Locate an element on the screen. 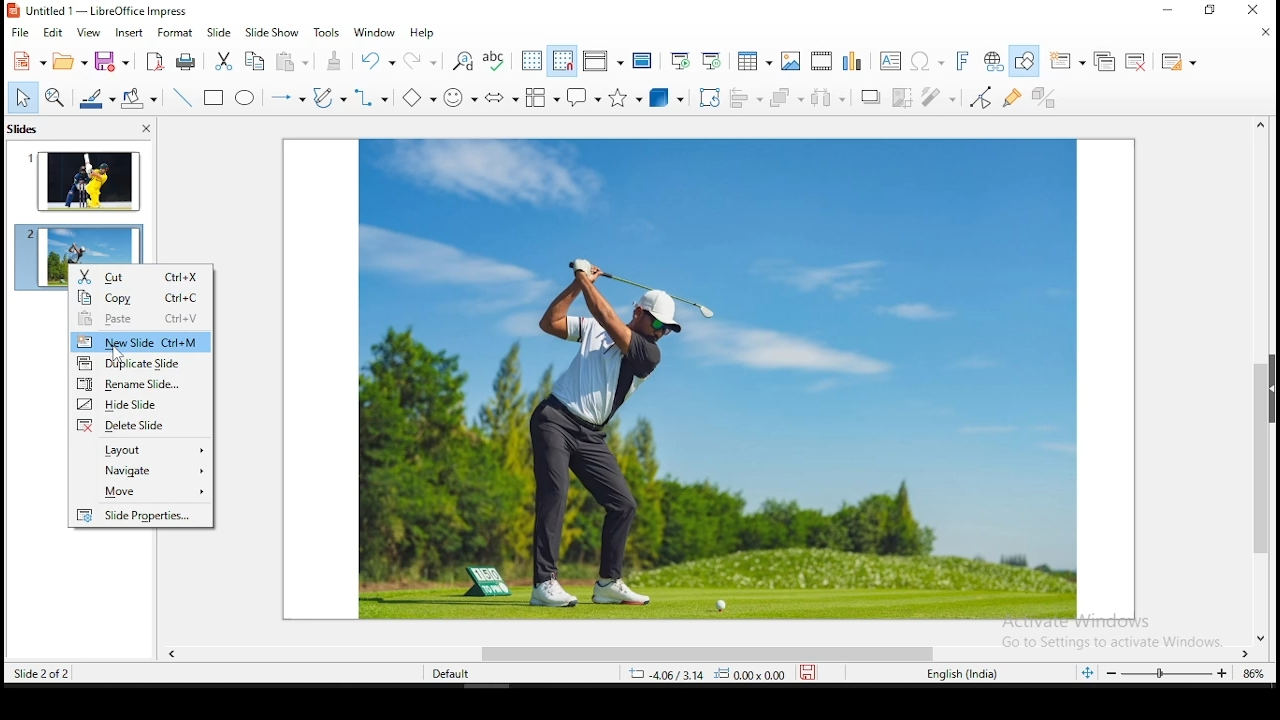  show gluepoint functions is located at coordinates (1013, 97).